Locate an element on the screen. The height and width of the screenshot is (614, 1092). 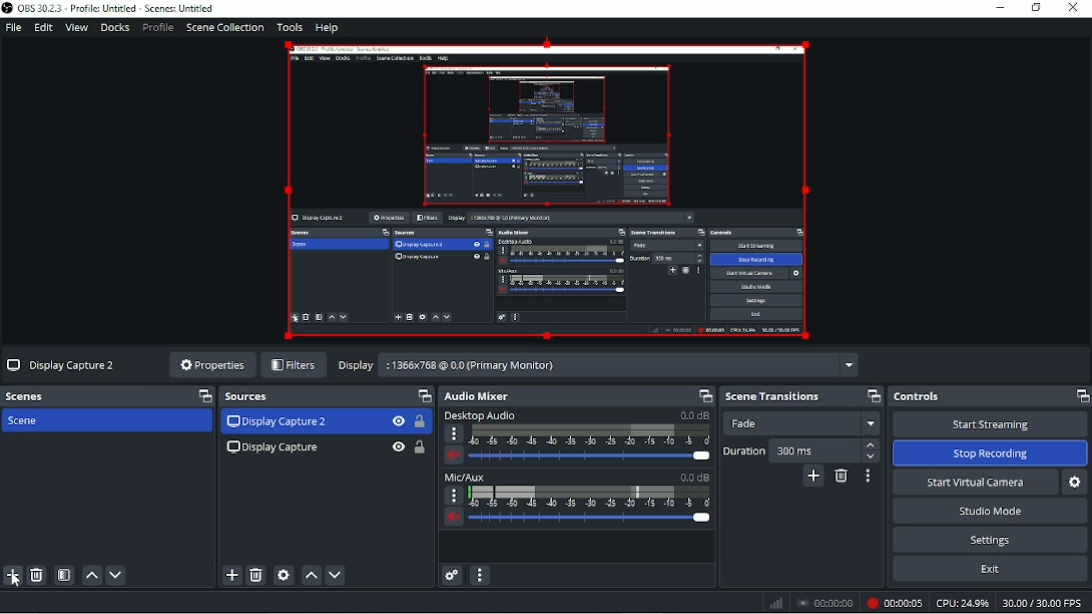
Add configurable transition is located at coordinates (812, 477).